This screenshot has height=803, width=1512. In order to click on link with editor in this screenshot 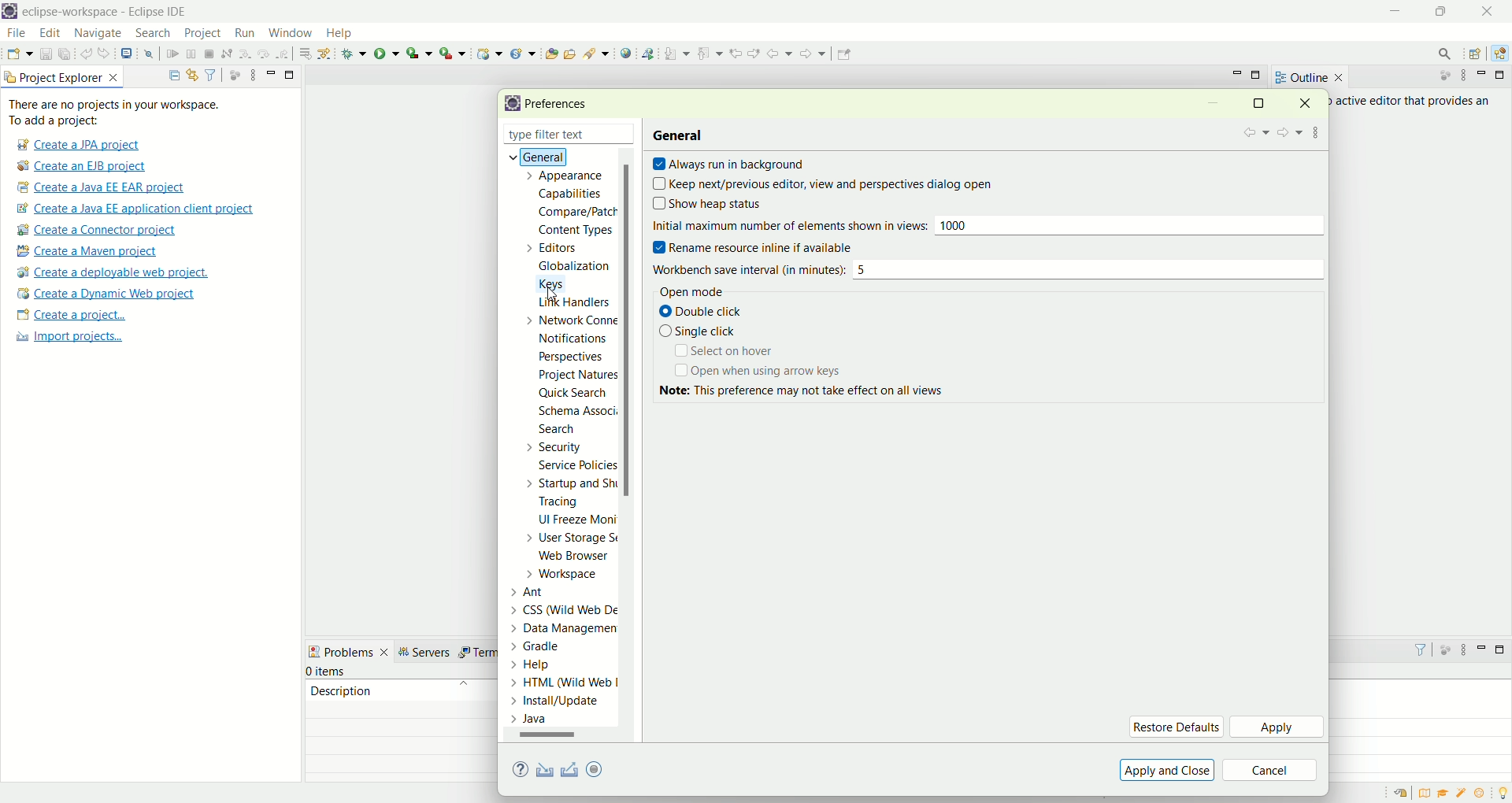, I will do `click(193, 75)`.